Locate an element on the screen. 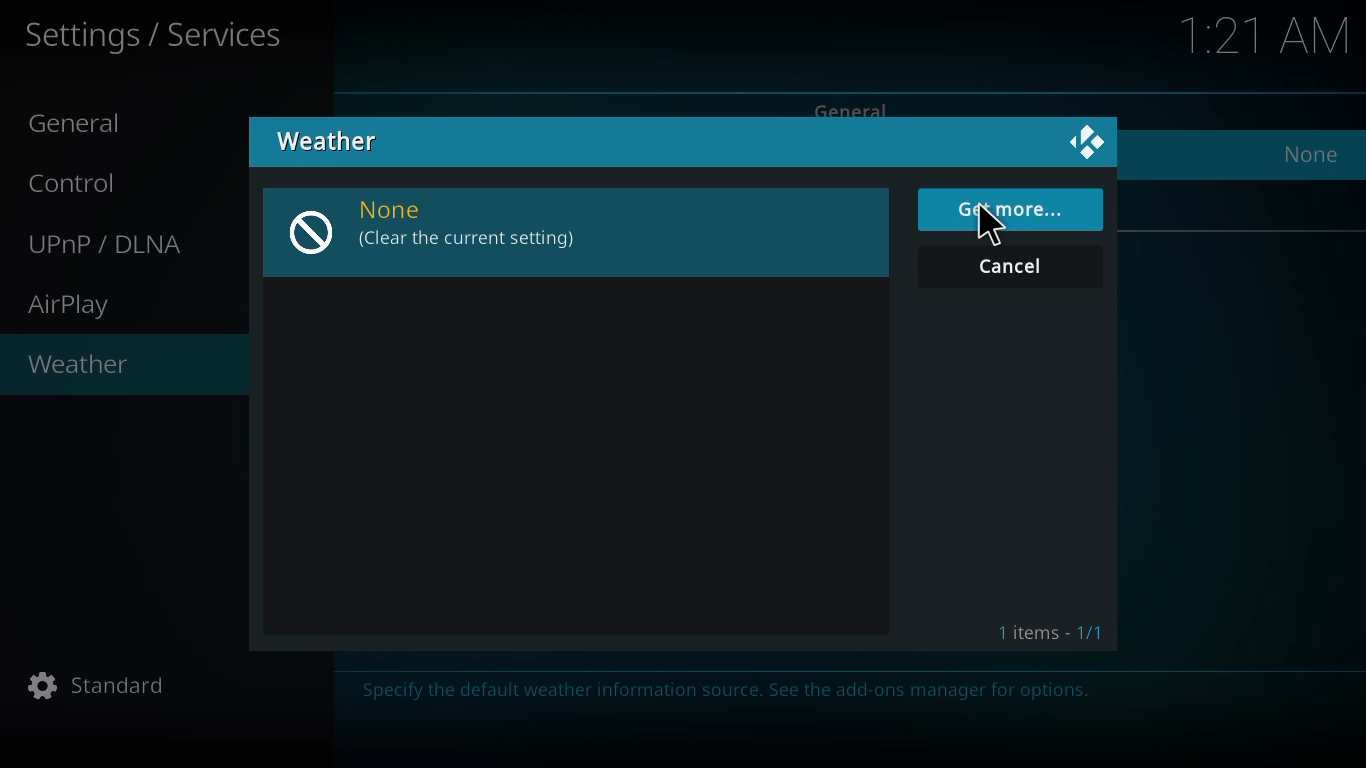  upnp/dlna is located at coordinates (110, 244).